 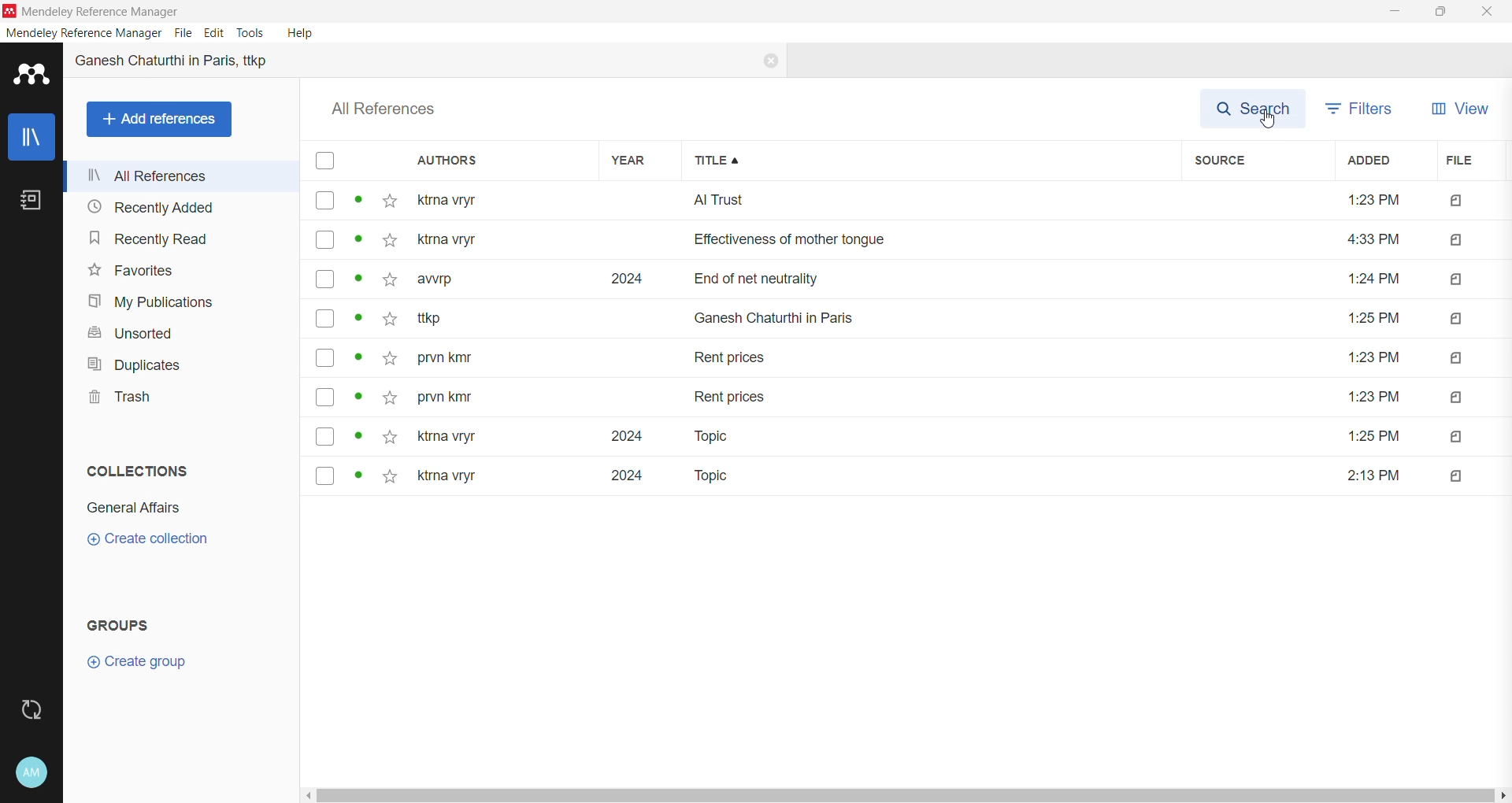 I want to click on Library, so click(x=30, y=137).